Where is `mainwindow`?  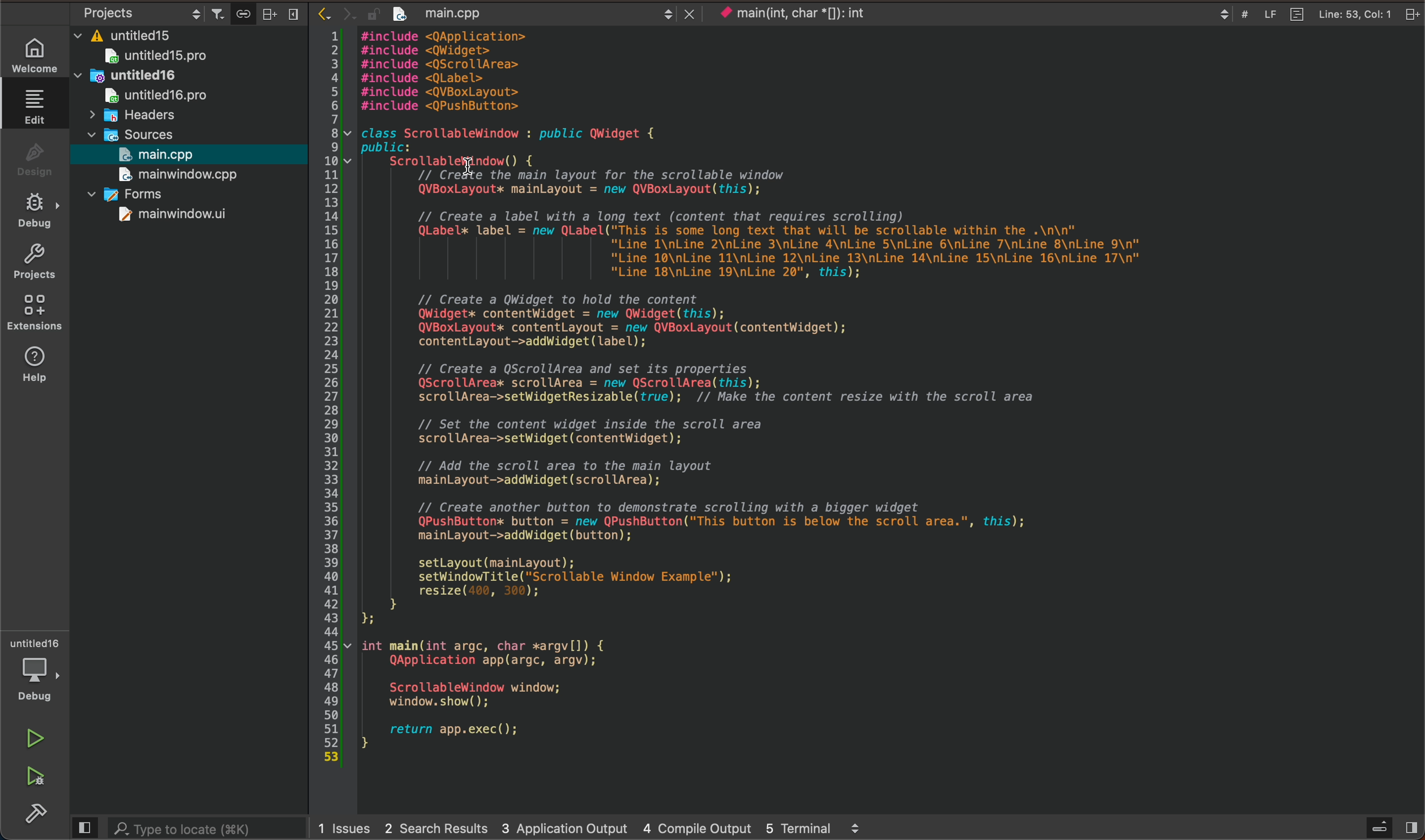 mainwindow is located at coordinates (173, 215).